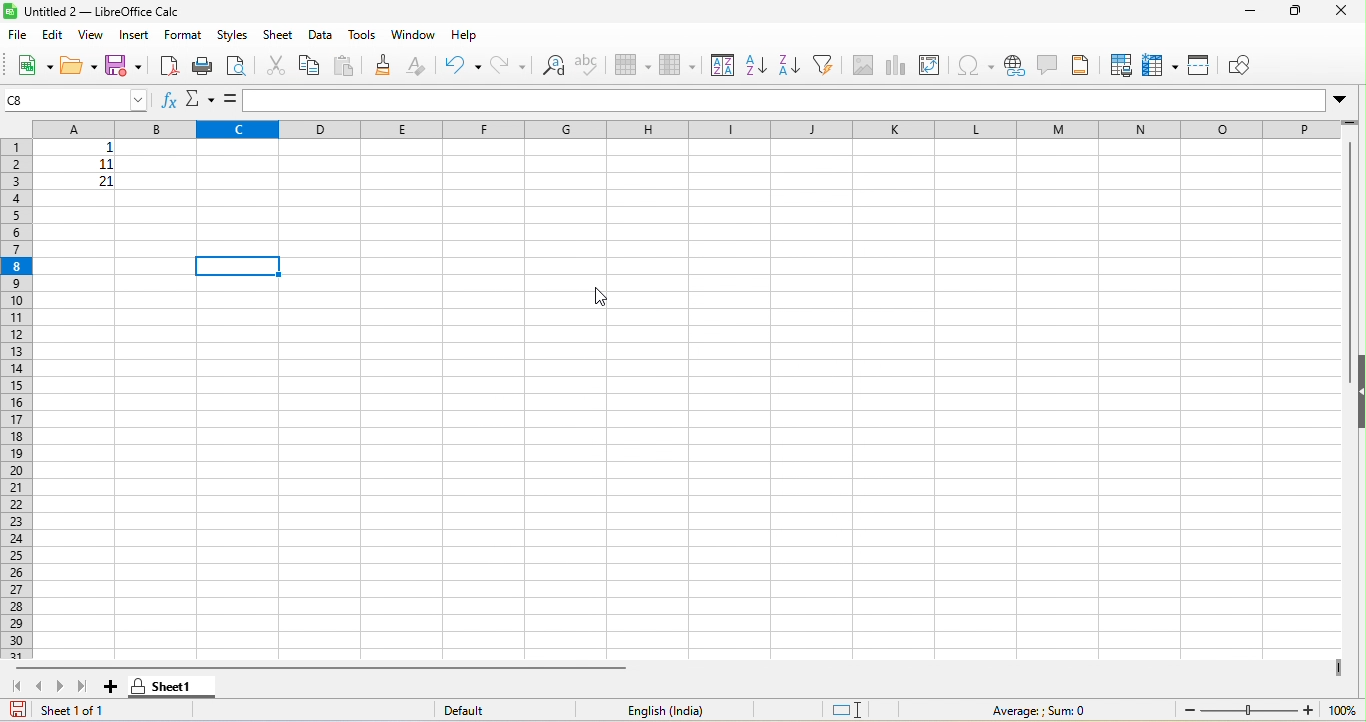 This screenshot has height=722, width=1366. I want to click on drag to view more rows, so click(1351, 125).